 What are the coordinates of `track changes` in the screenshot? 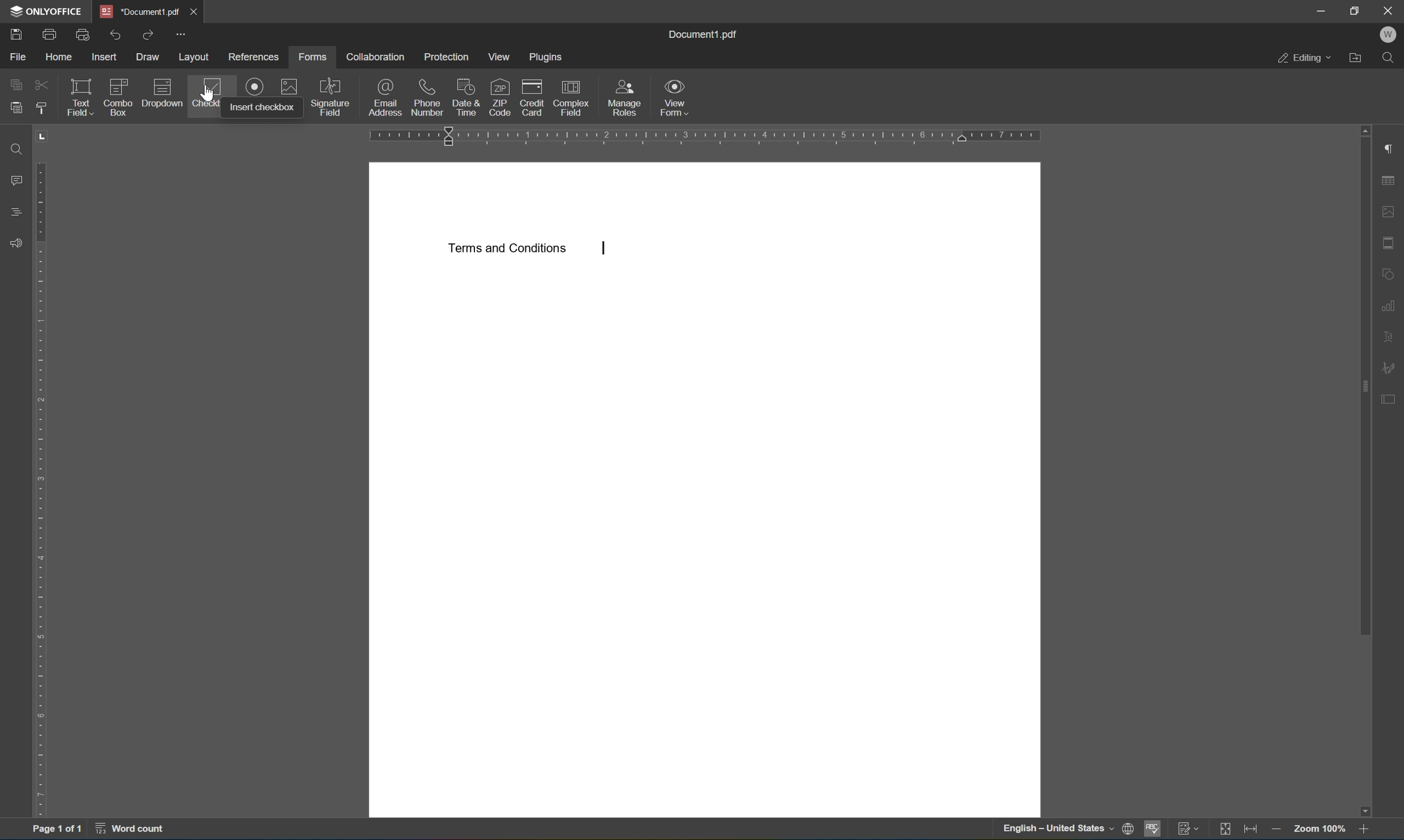 It's located at (1189, 830).